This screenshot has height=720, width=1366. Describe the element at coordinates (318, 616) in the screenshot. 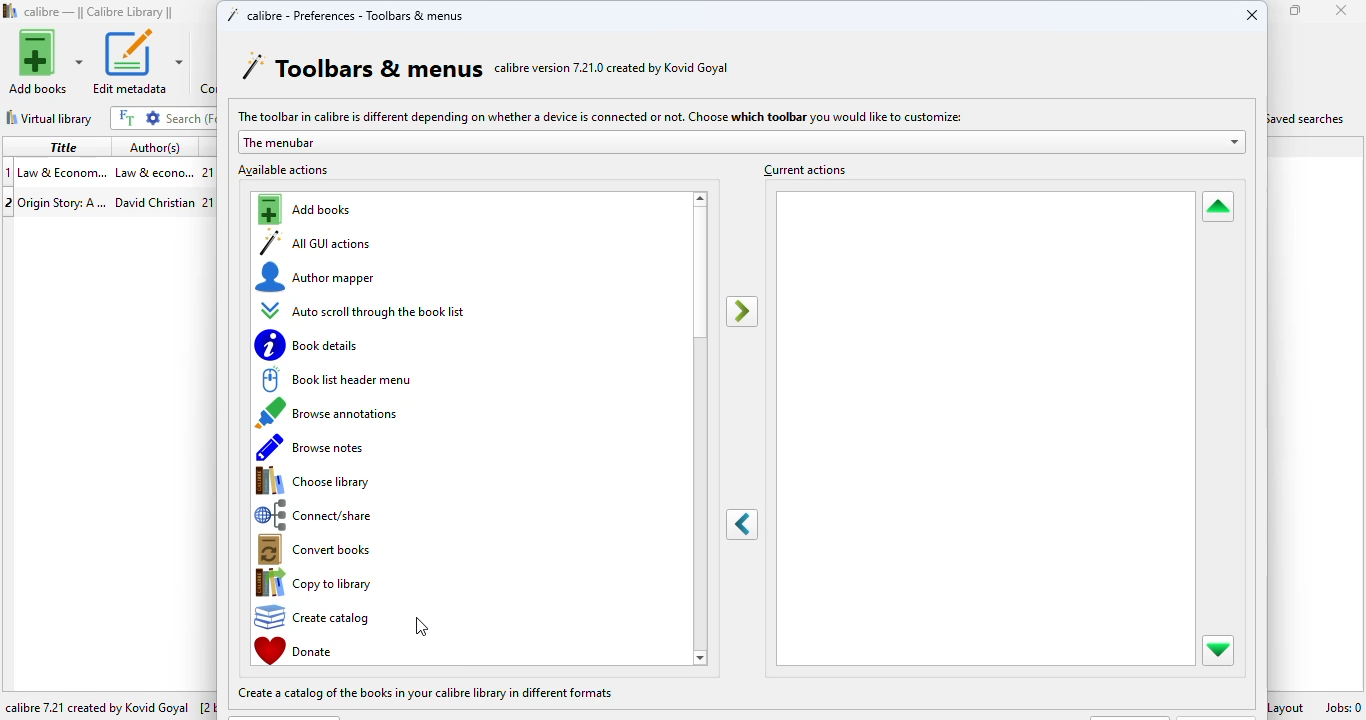

I see `create catalog` at that location.